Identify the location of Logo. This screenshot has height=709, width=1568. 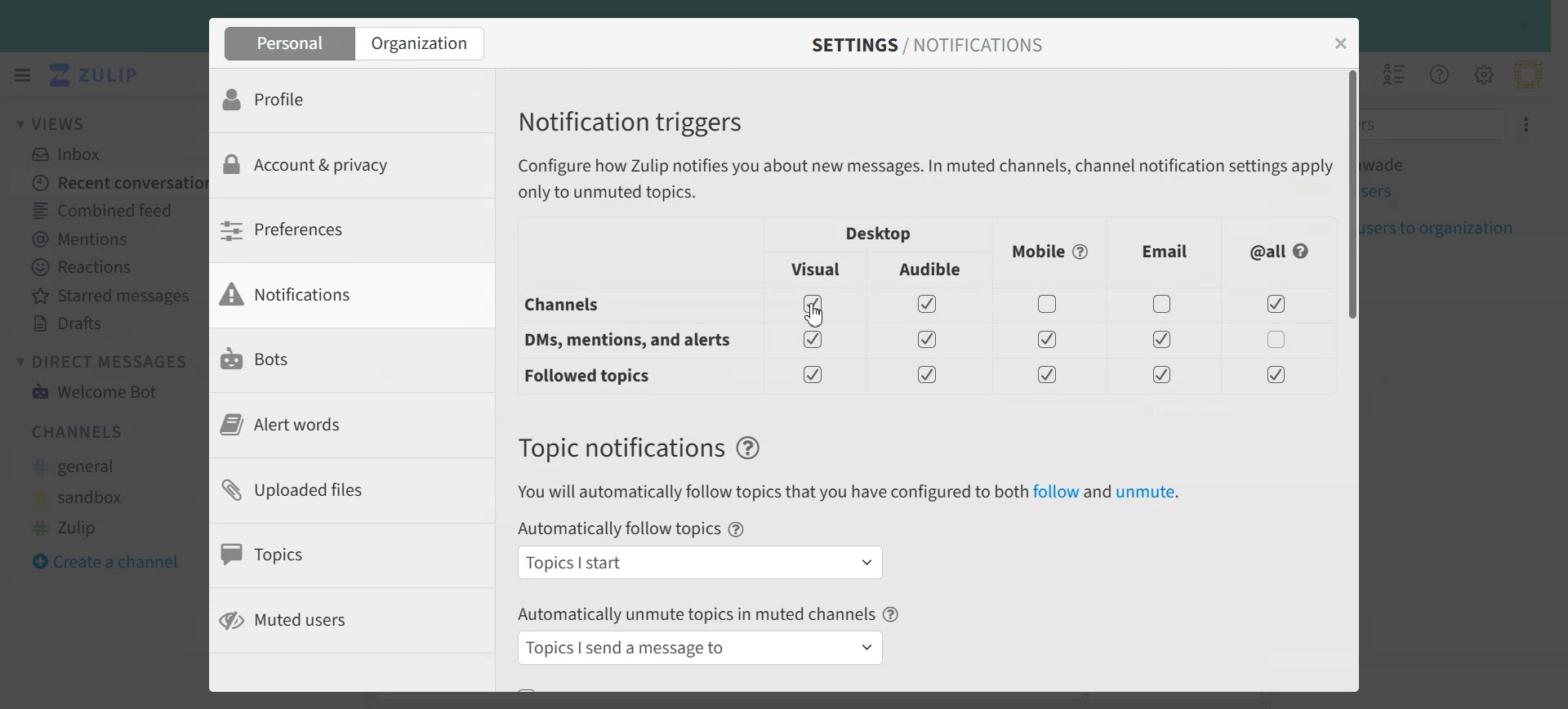
(97, 75).